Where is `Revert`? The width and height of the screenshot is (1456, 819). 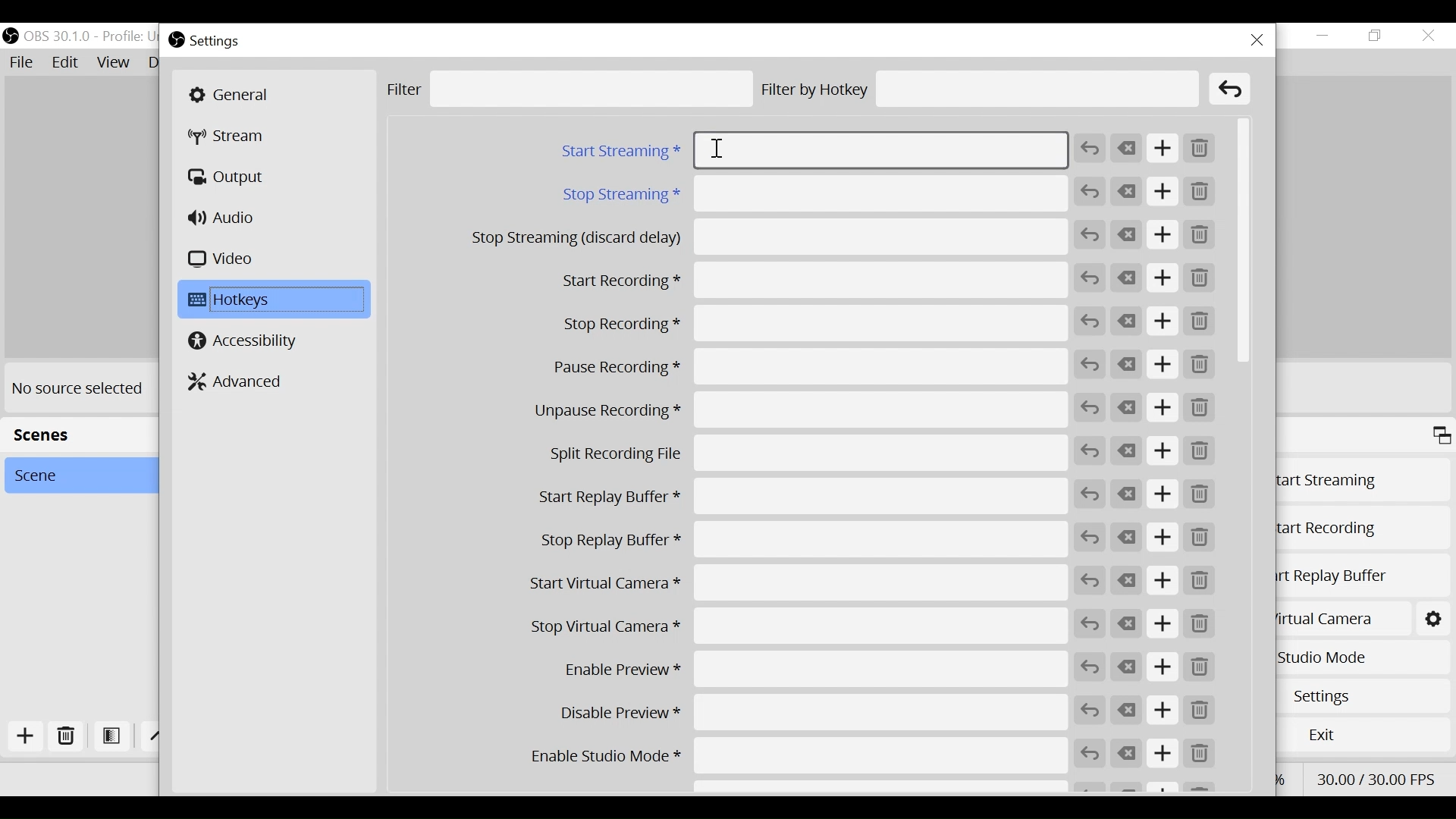 Revert is located at coordinates (1090, 711).